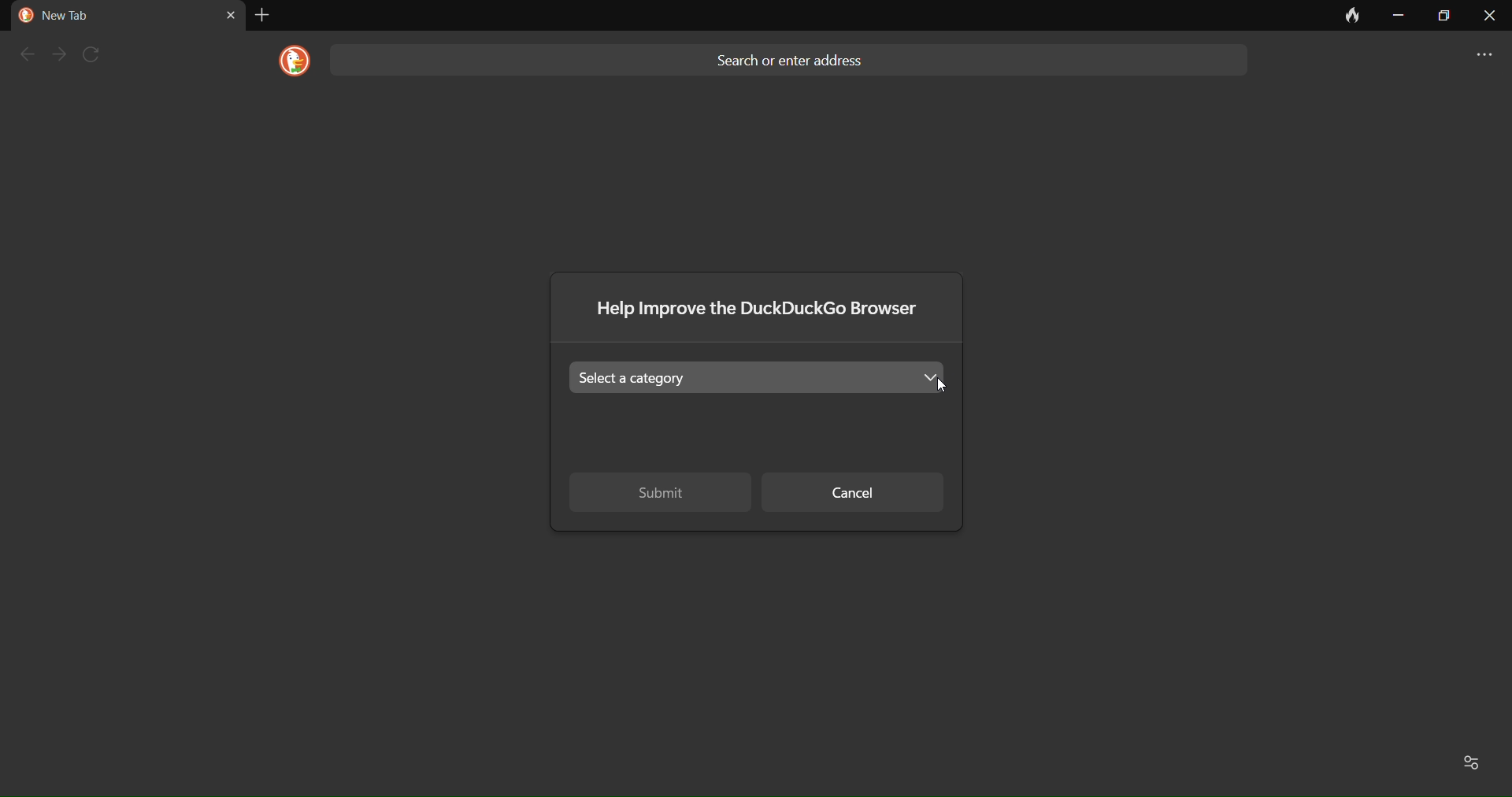  I want to click on cancel, so click(856, 491).